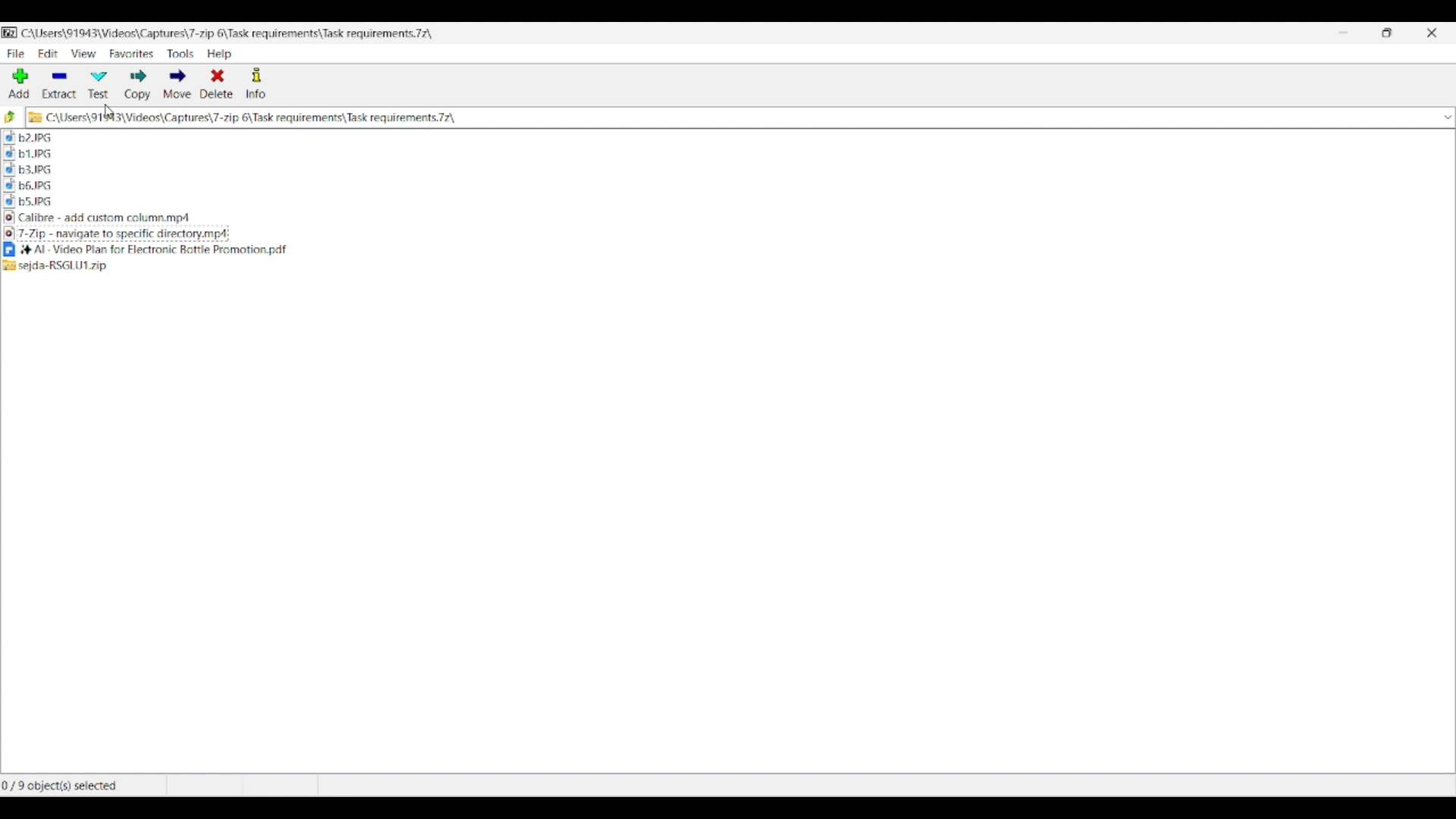 The image size is (1456, 819). What do you see at coordinates (11, 116) in the screenshot?
I see `Go to previous folder in pathway` at bounding box center [11, 116].